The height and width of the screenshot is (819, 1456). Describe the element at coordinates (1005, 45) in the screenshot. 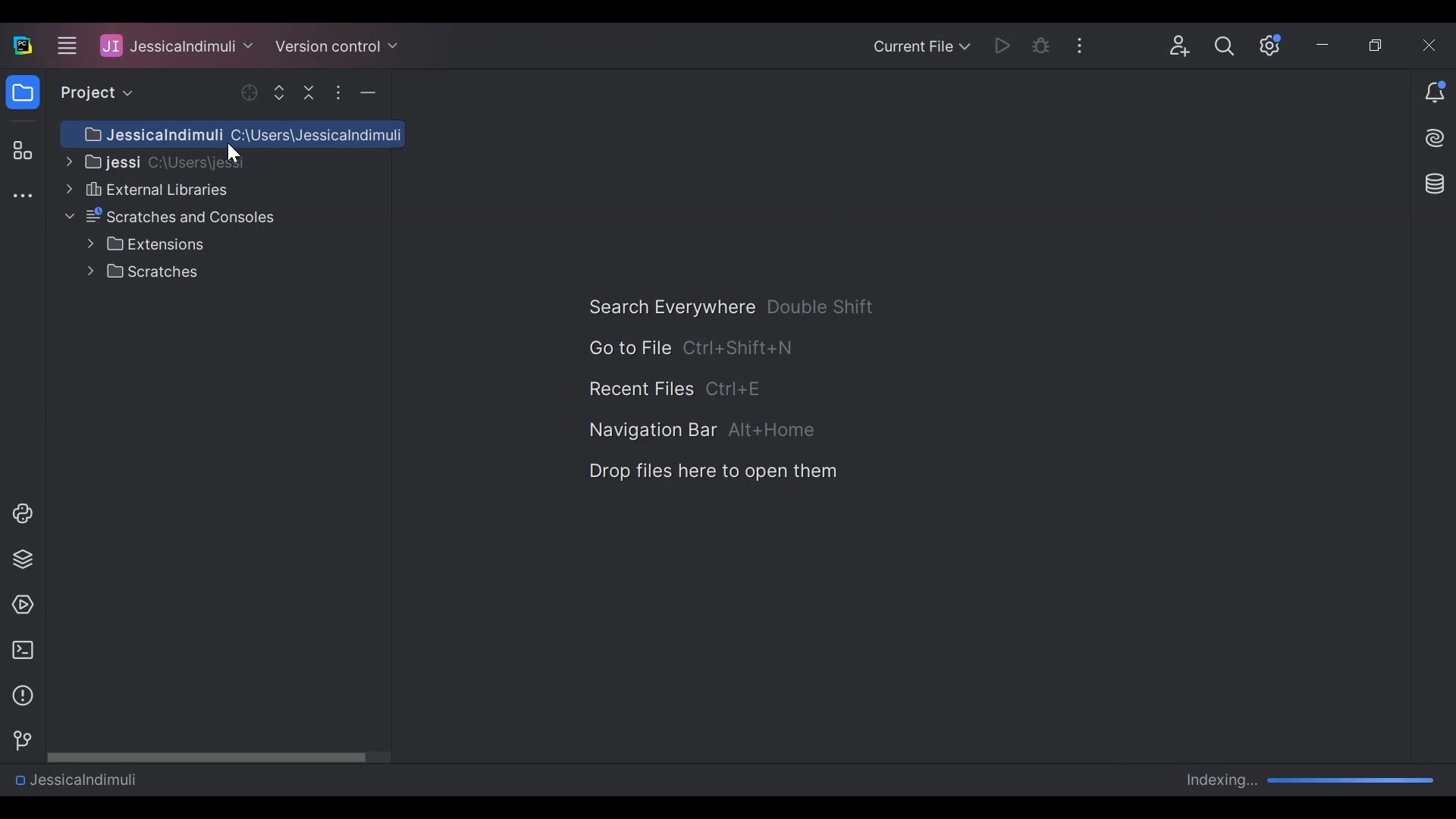

I see `Run` at that location.